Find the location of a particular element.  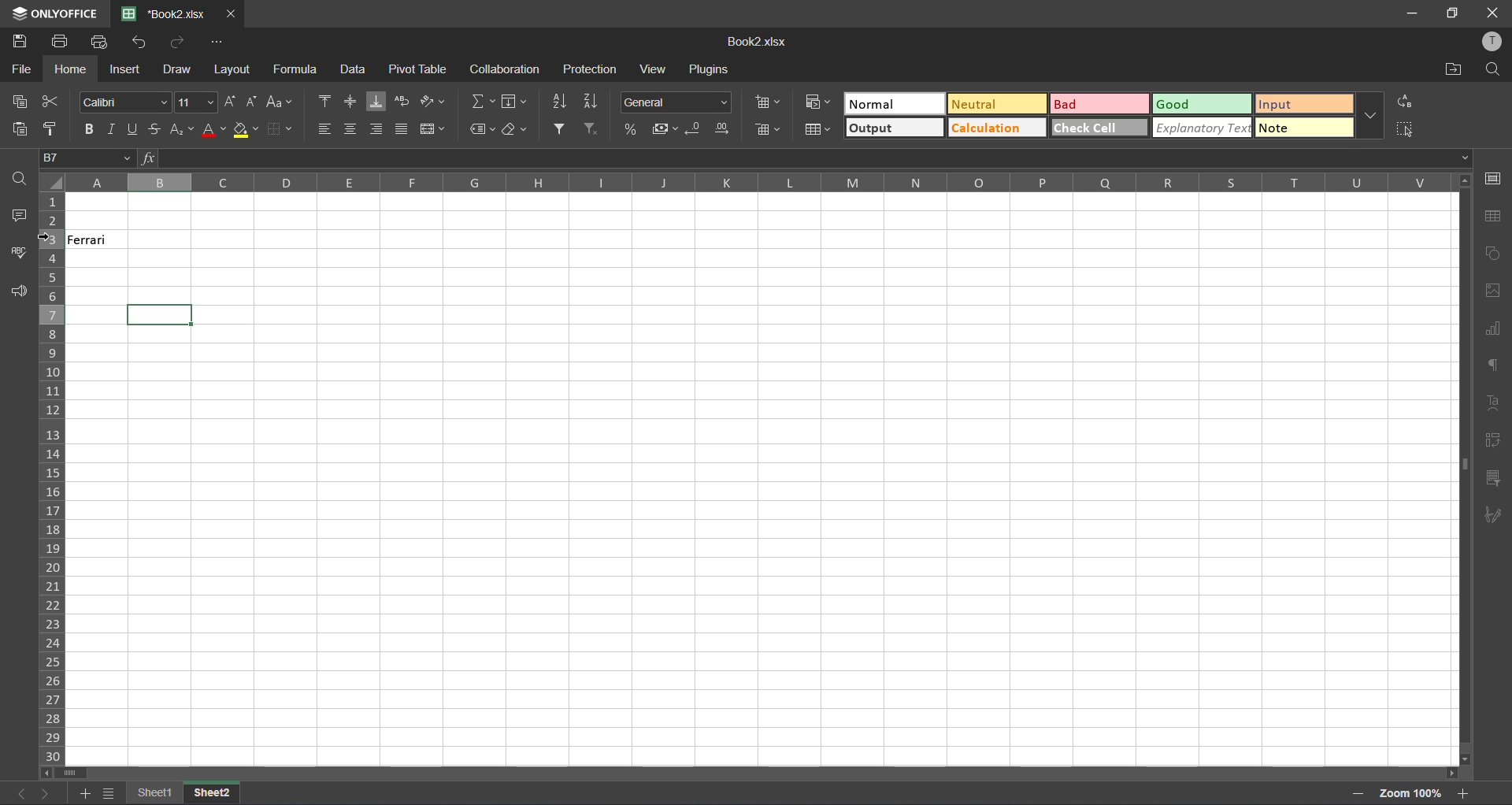

increment size is located at coordinates (229, 102).